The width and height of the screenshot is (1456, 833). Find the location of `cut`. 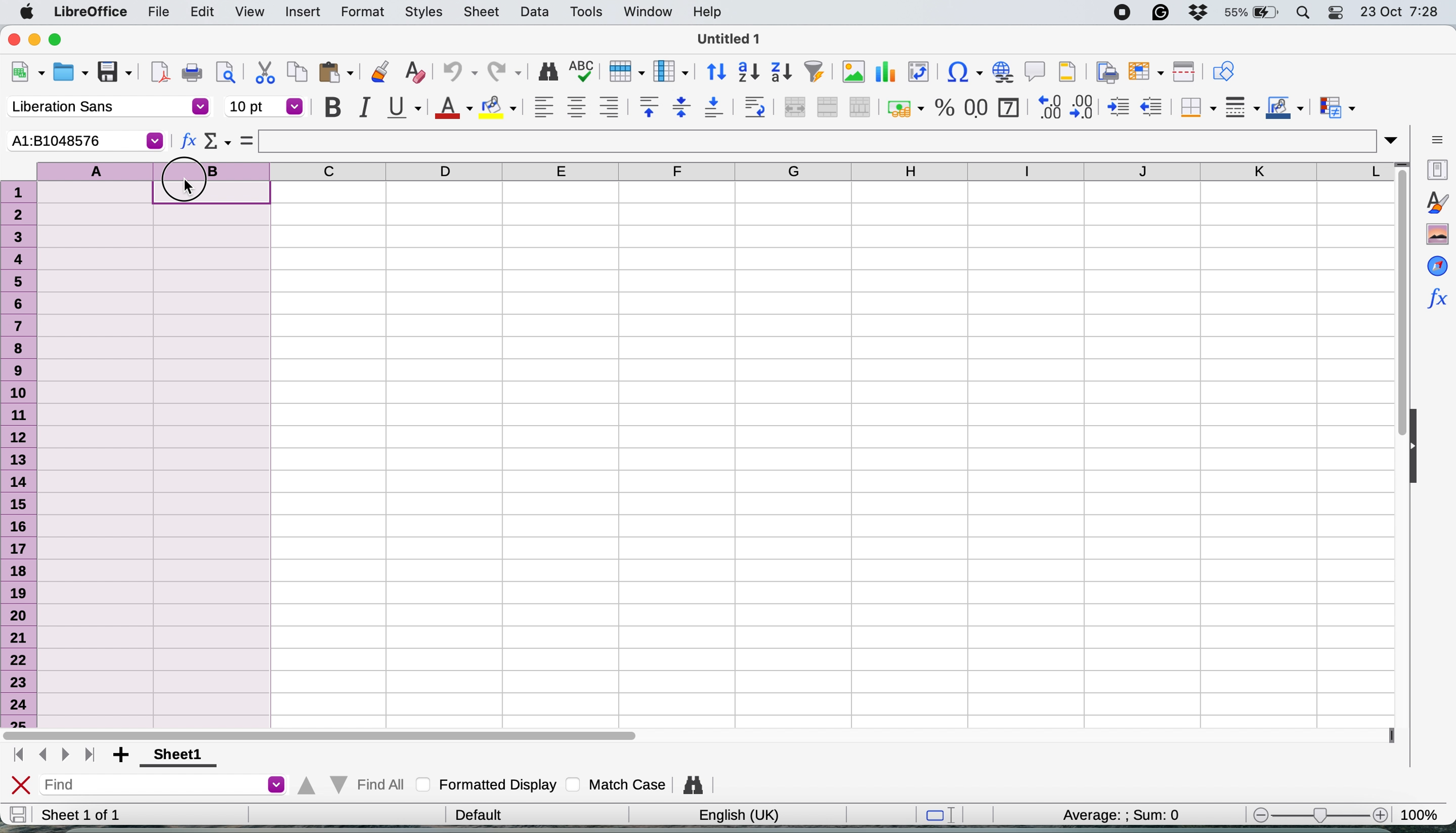

cut is located at coordinates (262, 73).